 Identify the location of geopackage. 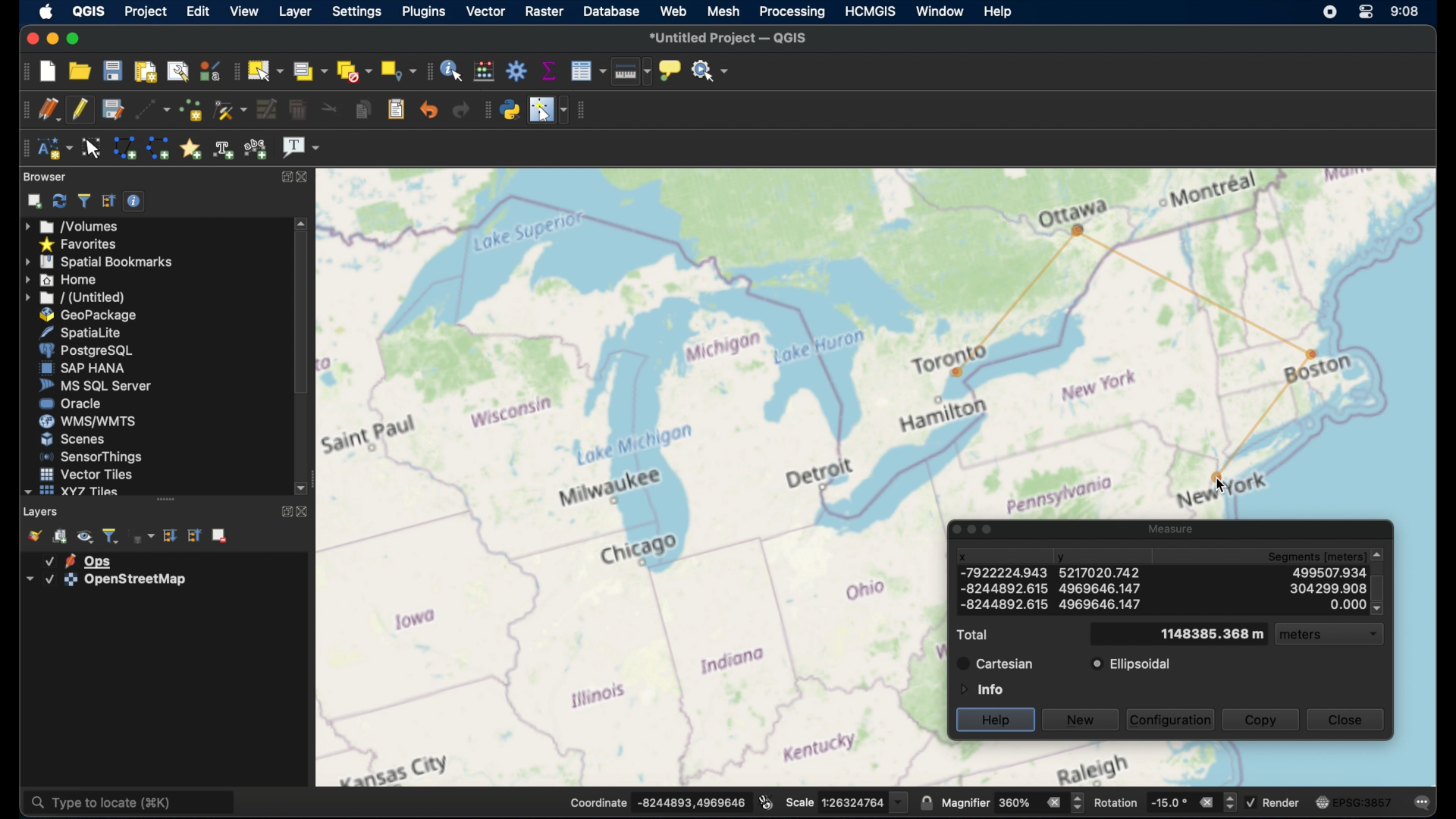
(89, 315).